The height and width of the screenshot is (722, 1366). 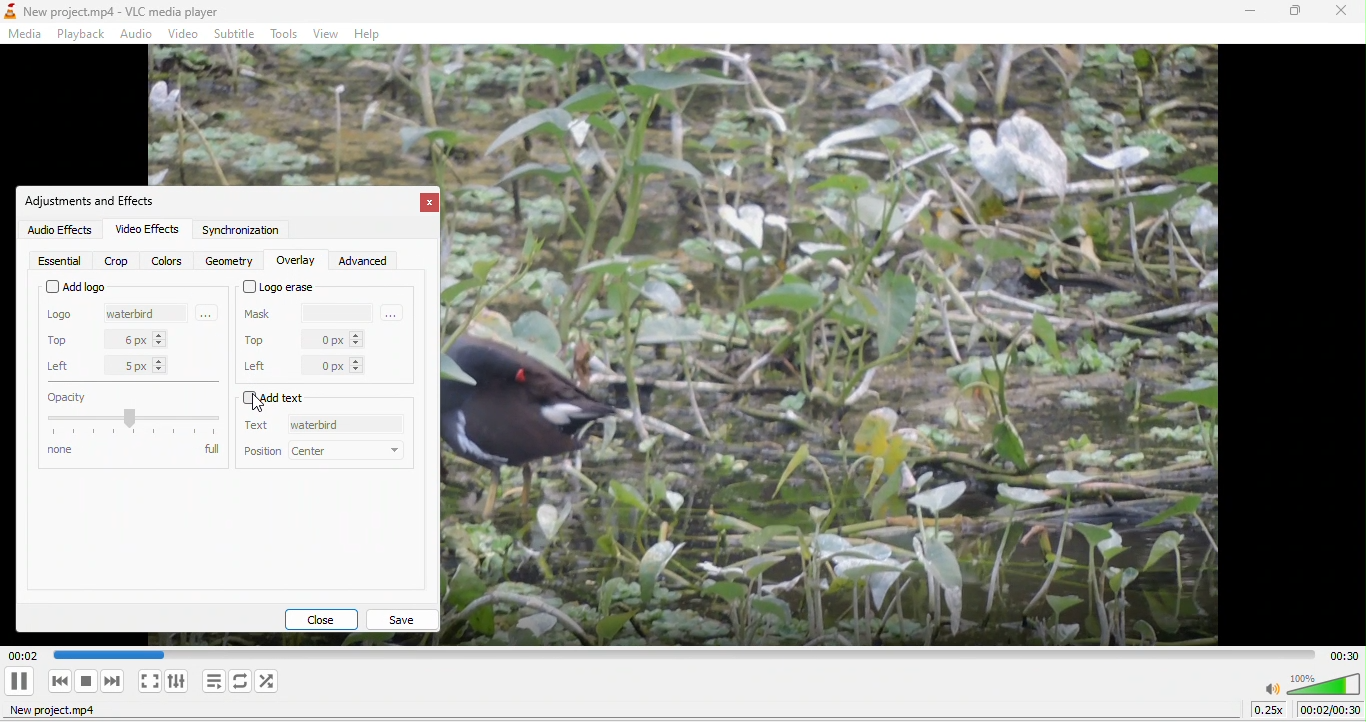 I want to click on new project.mp4, so click(x=64, y=713).